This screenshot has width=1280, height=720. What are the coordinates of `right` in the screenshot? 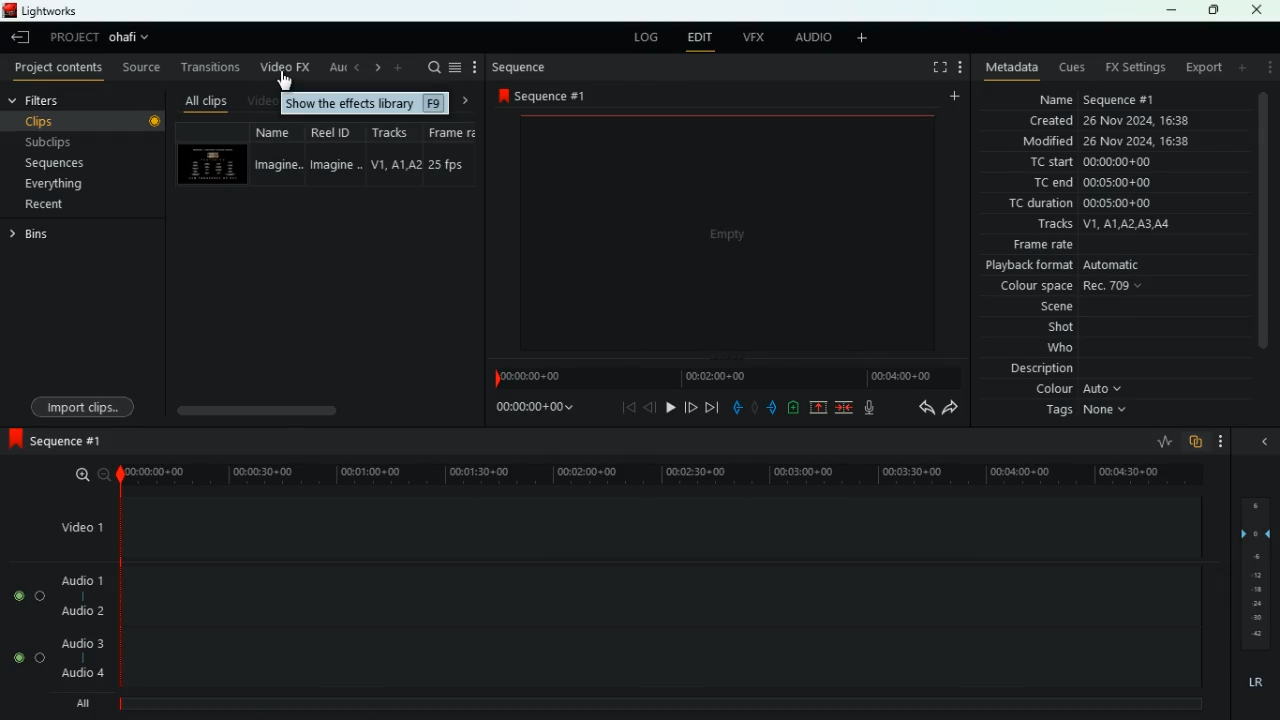 It's located at (466, 101).